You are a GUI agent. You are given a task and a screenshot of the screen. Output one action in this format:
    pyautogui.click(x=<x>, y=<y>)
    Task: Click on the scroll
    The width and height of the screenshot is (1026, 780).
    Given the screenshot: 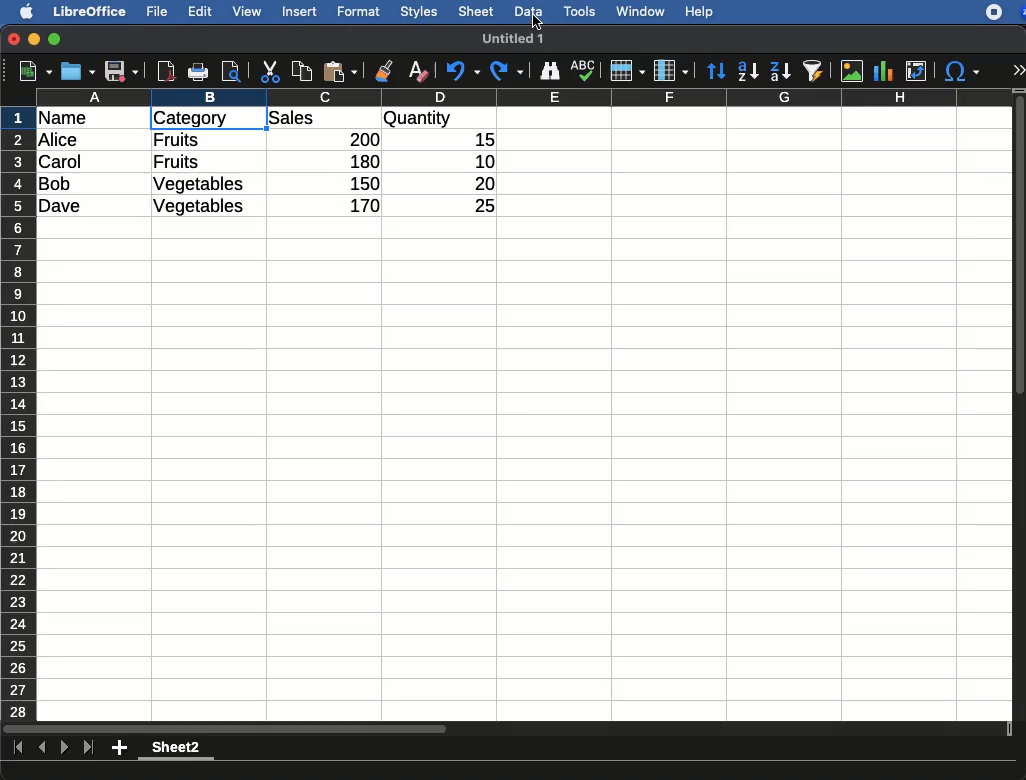 What is the action you would take?
    pyautogui.click(x=1021, y=404)
    